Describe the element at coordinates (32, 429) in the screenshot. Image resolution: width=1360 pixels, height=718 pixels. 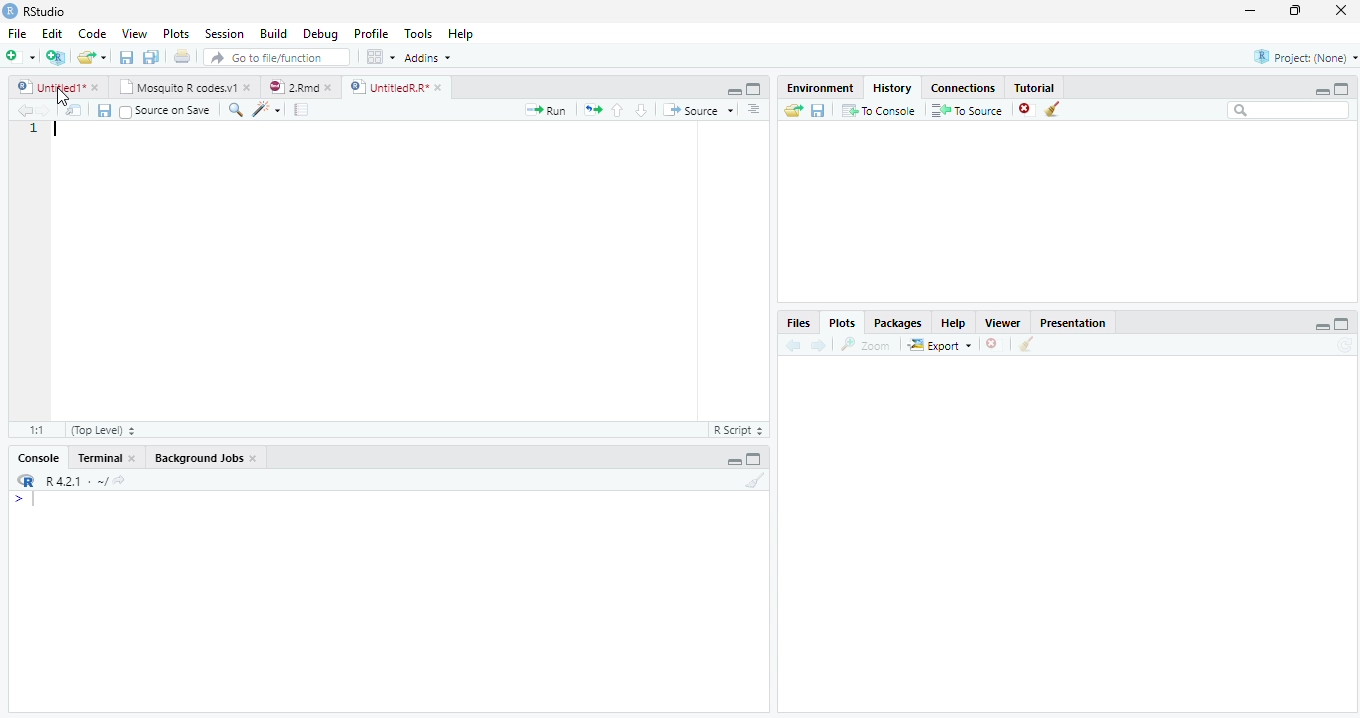
I see `1.1` at that location.